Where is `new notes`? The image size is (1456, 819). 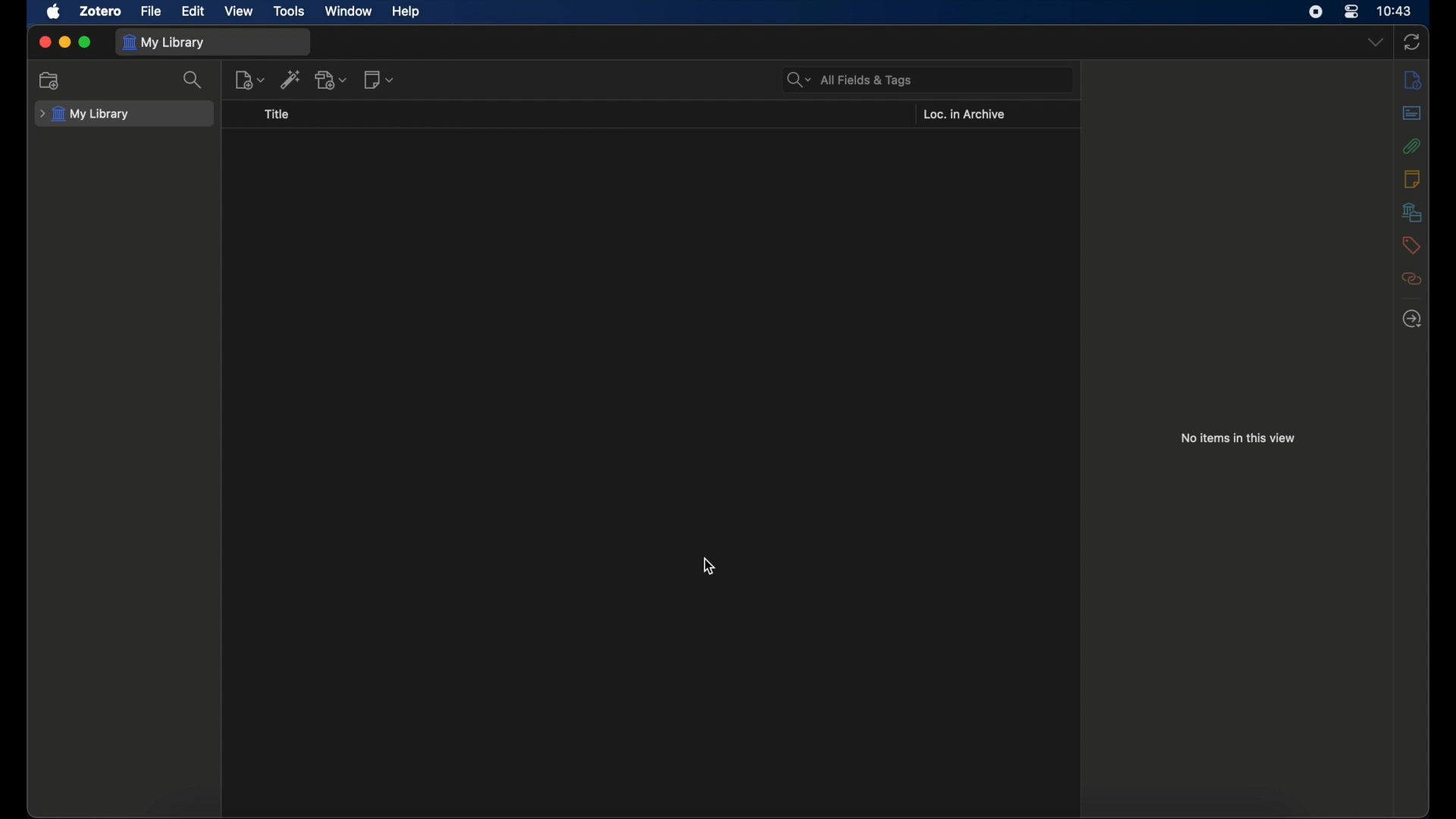
new notes is located at coordinates (378, 80).